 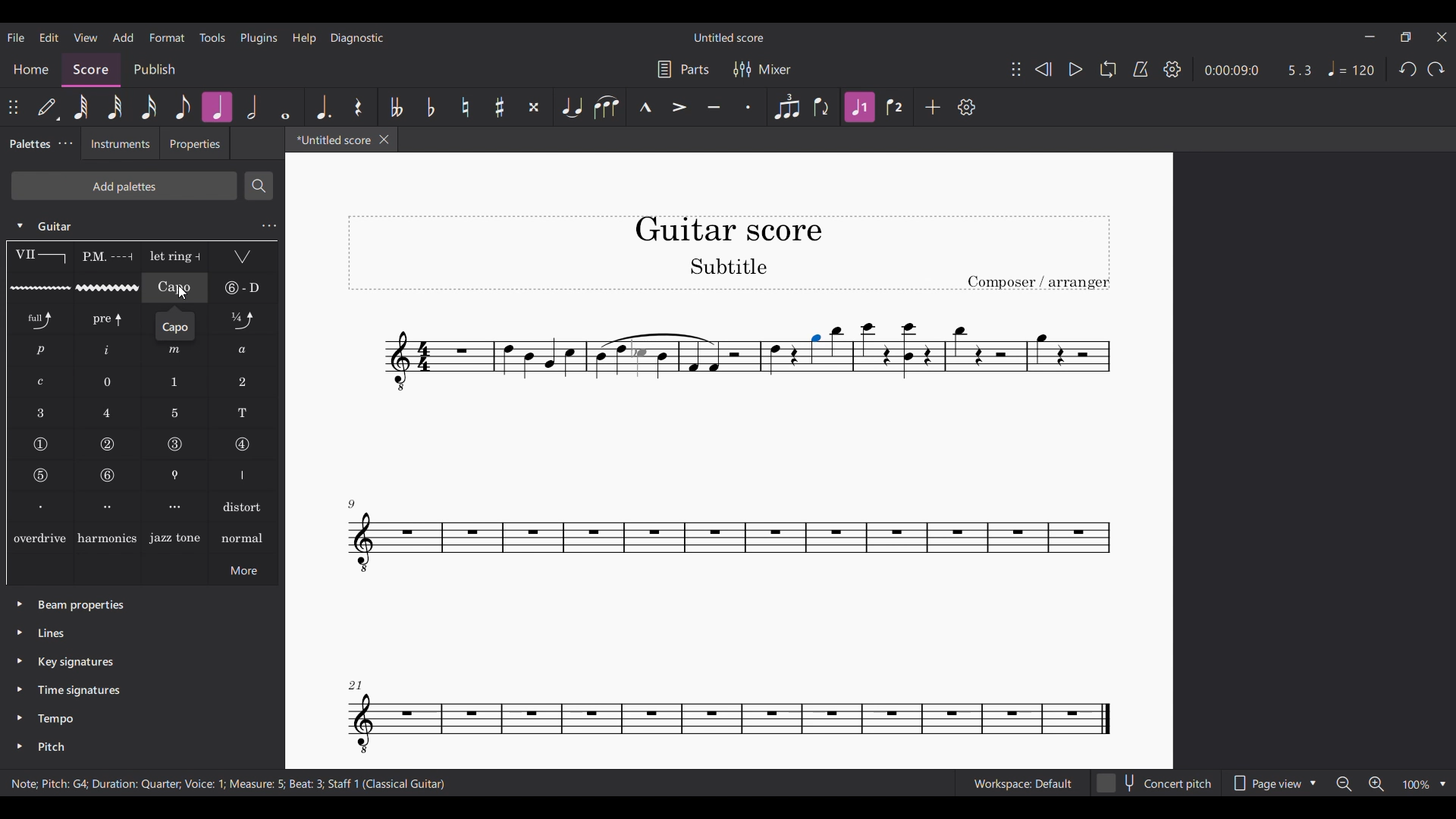 What do you see at coordinates (195, 143) in the screenshot?
I see `Properties tab` at bounding box center [195, 143].